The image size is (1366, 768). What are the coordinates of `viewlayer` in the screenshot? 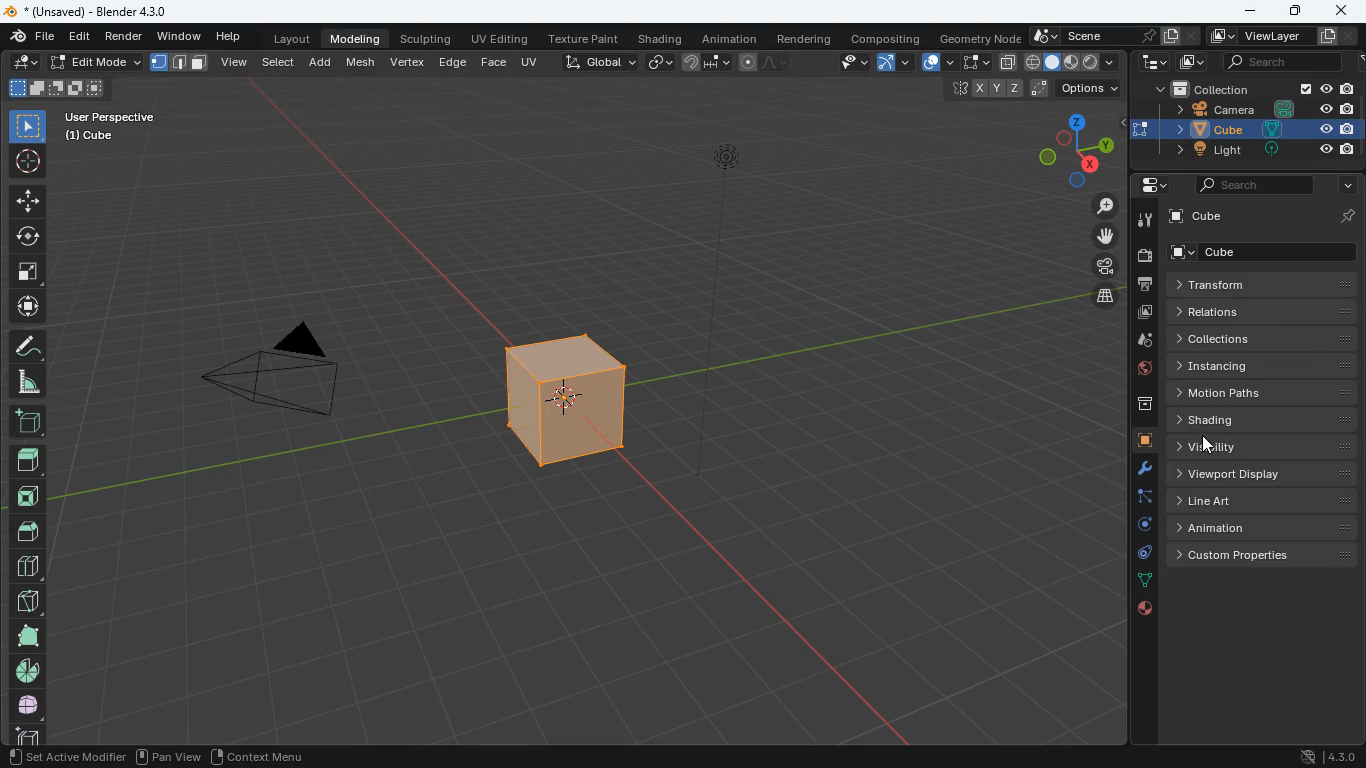 It's located at (1281, 36).